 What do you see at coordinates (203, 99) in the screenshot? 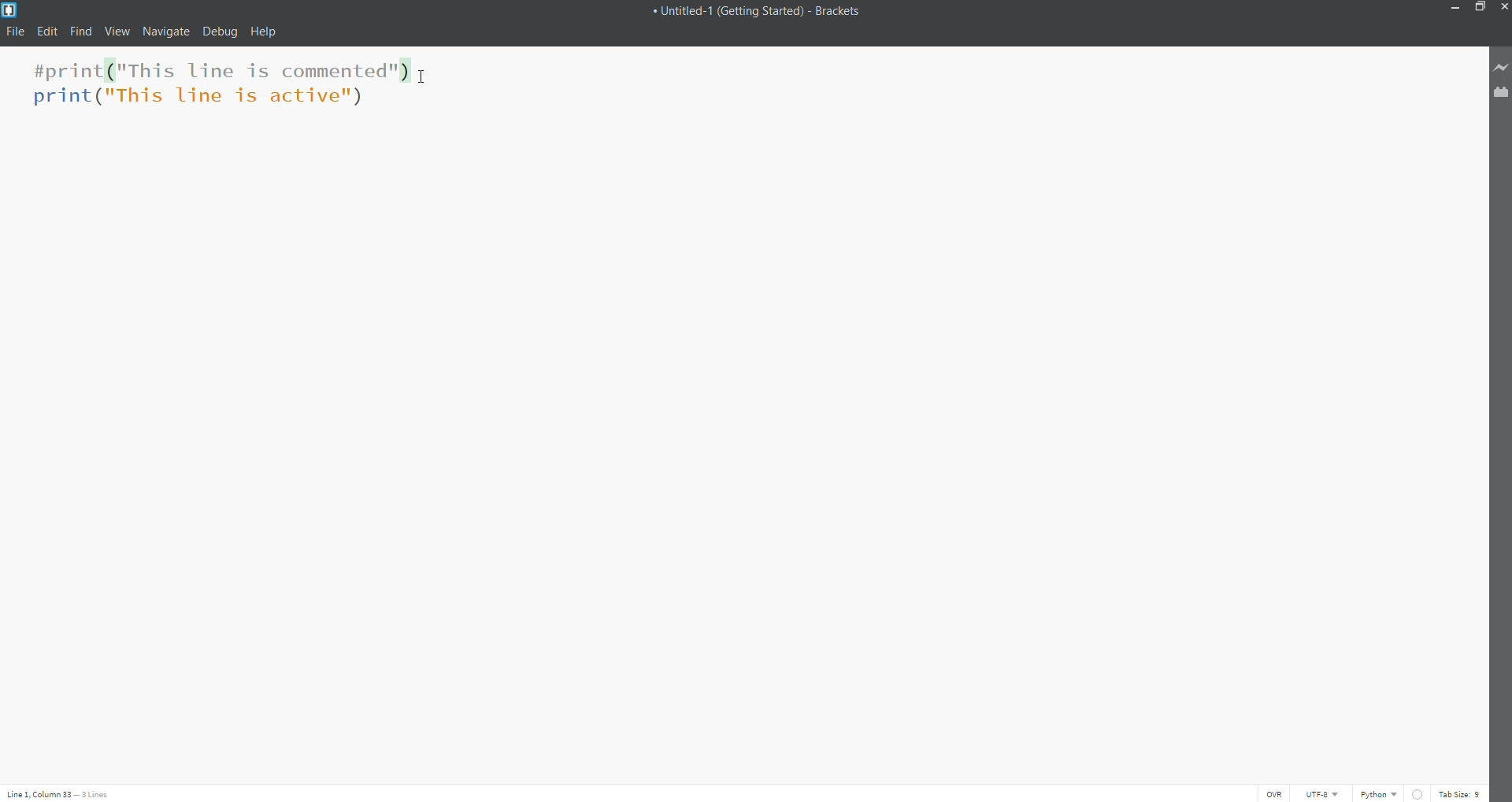
I see `Other Code` at bounding box center [203, 99].